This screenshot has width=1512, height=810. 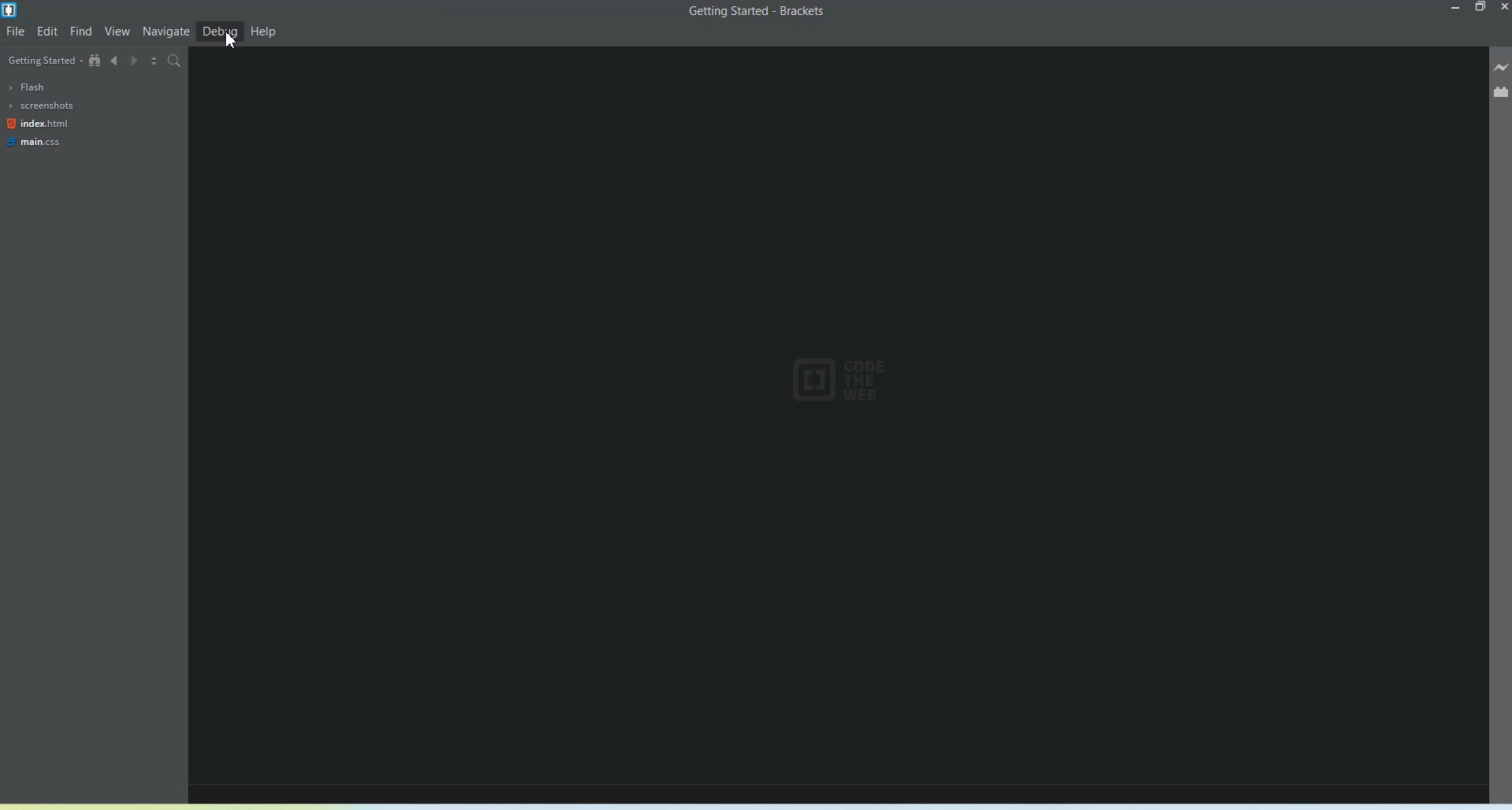 What do you see at coordinates (49, 30) in the screenshot?
I see `Edit` at bounding box center [49, 30].